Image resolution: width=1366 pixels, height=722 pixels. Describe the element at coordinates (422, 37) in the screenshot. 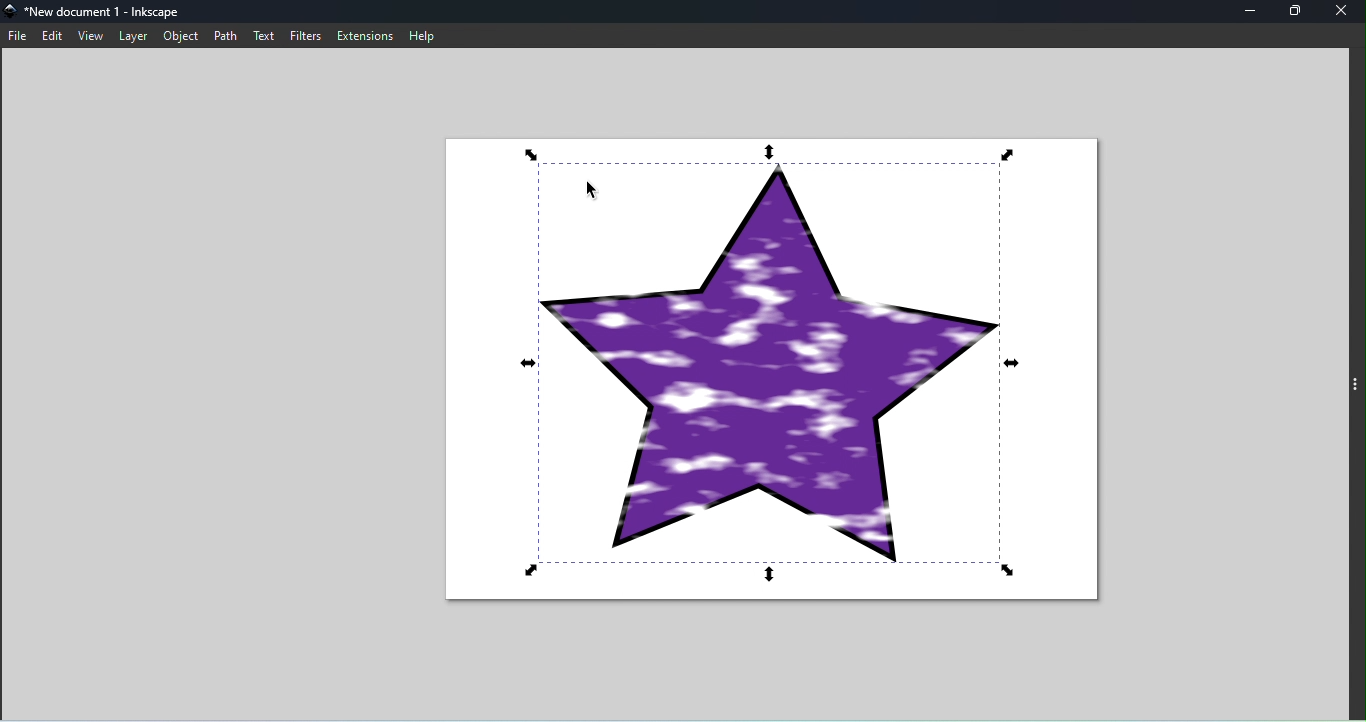

I see `help` at that location.